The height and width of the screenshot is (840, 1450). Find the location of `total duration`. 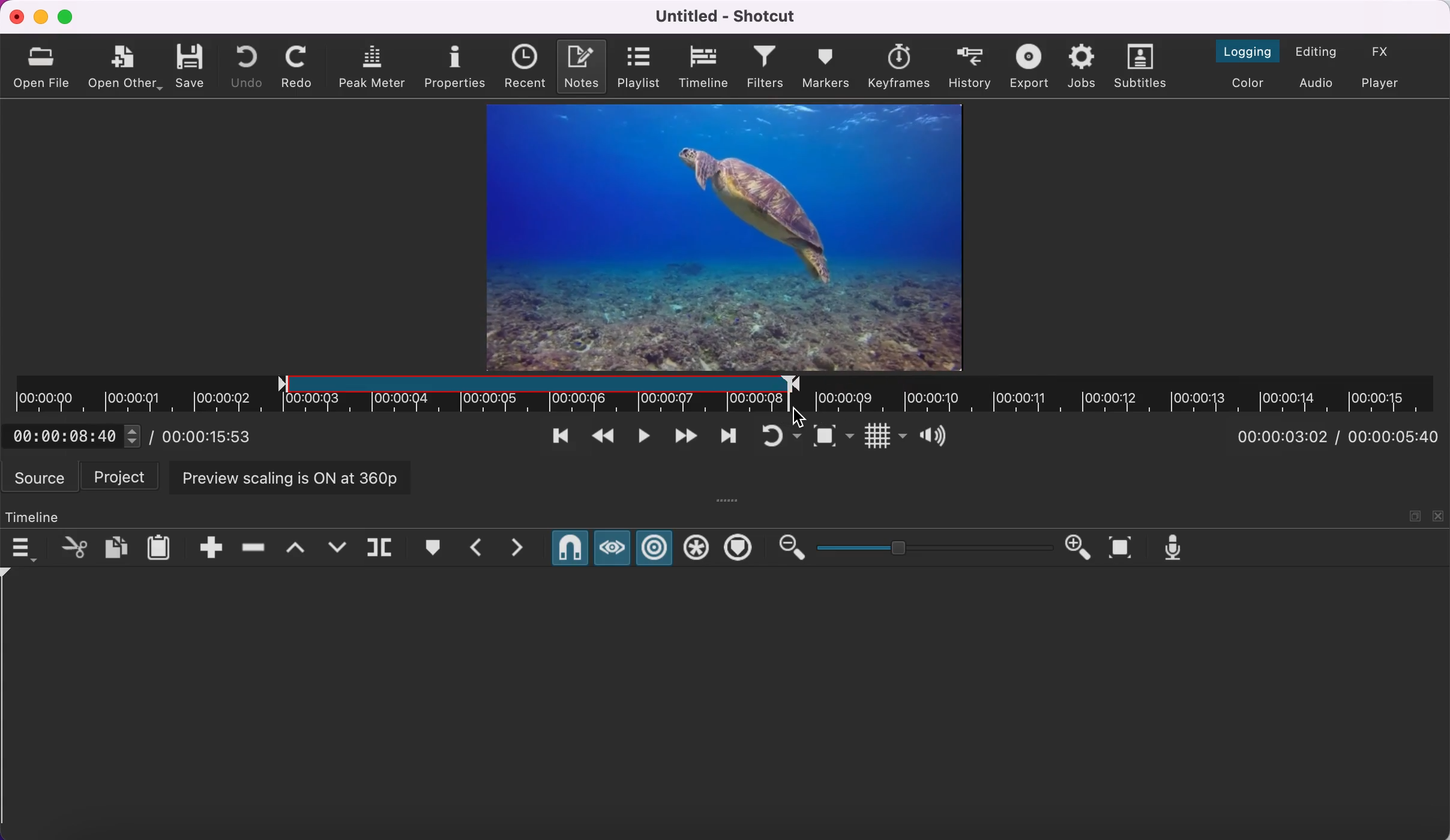

total duration is located at coordinates (218, 438).